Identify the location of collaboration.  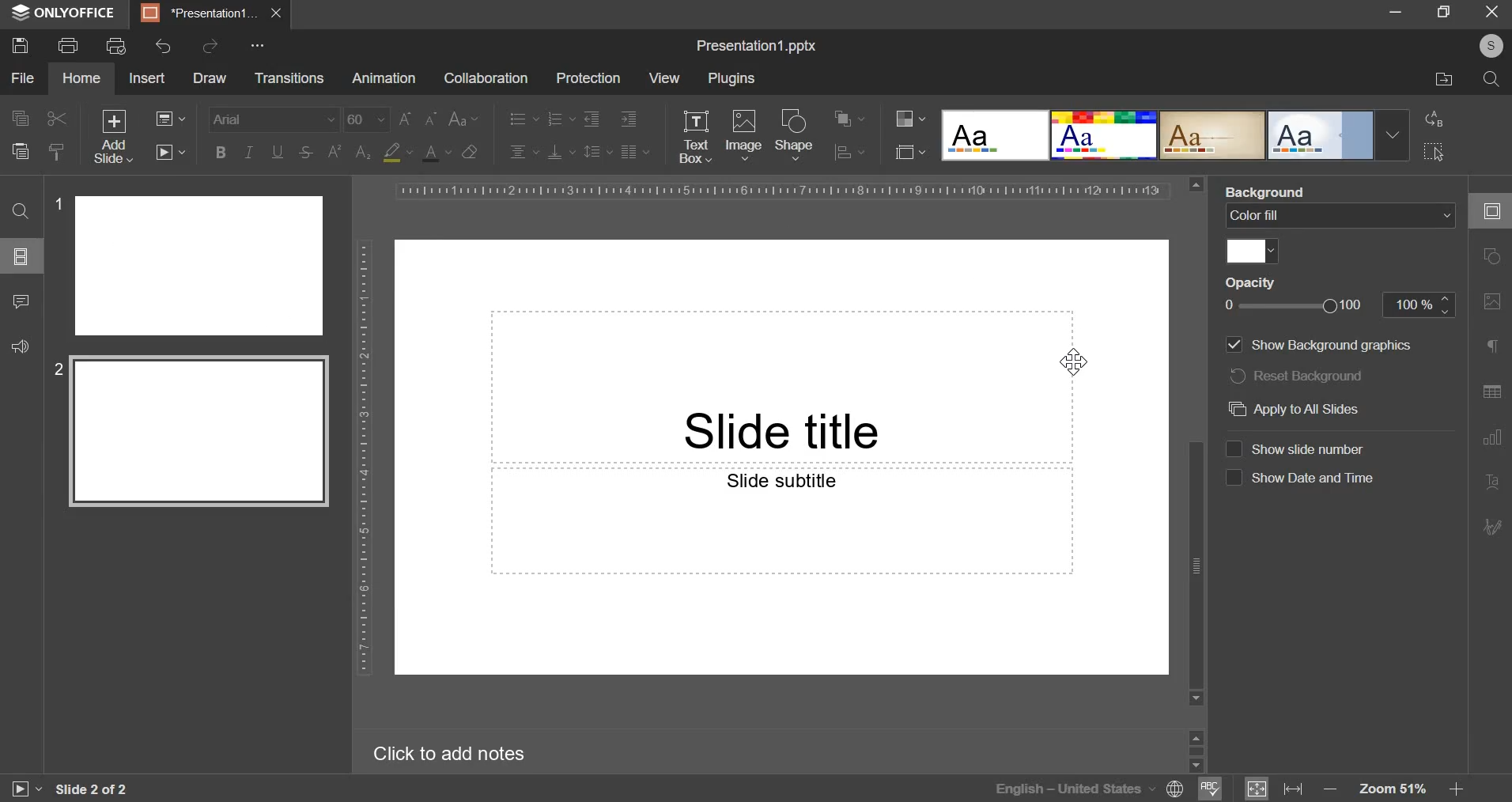
(485, 78).